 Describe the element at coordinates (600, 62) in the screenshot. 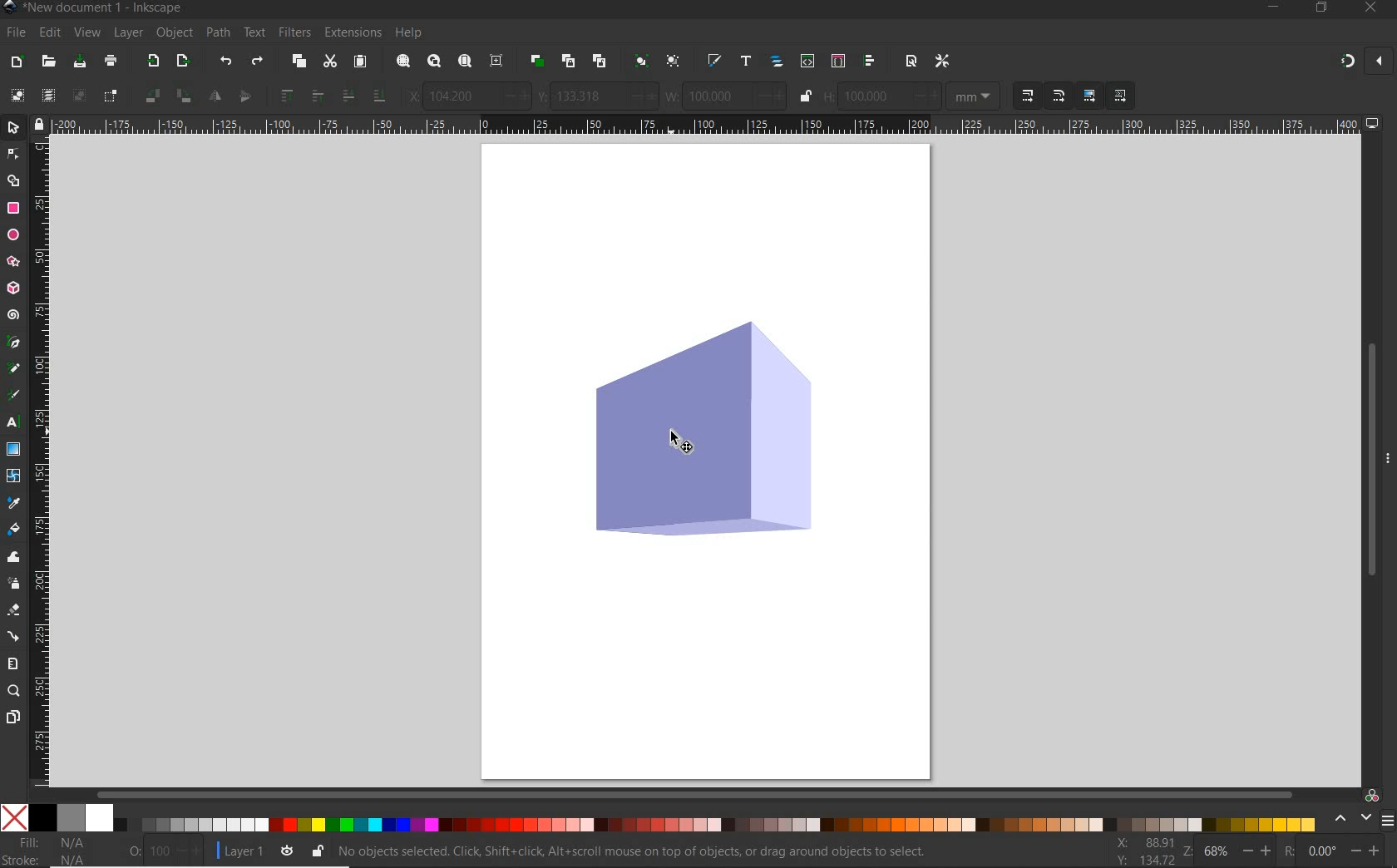

I see `UNLINK CODE` at that location.